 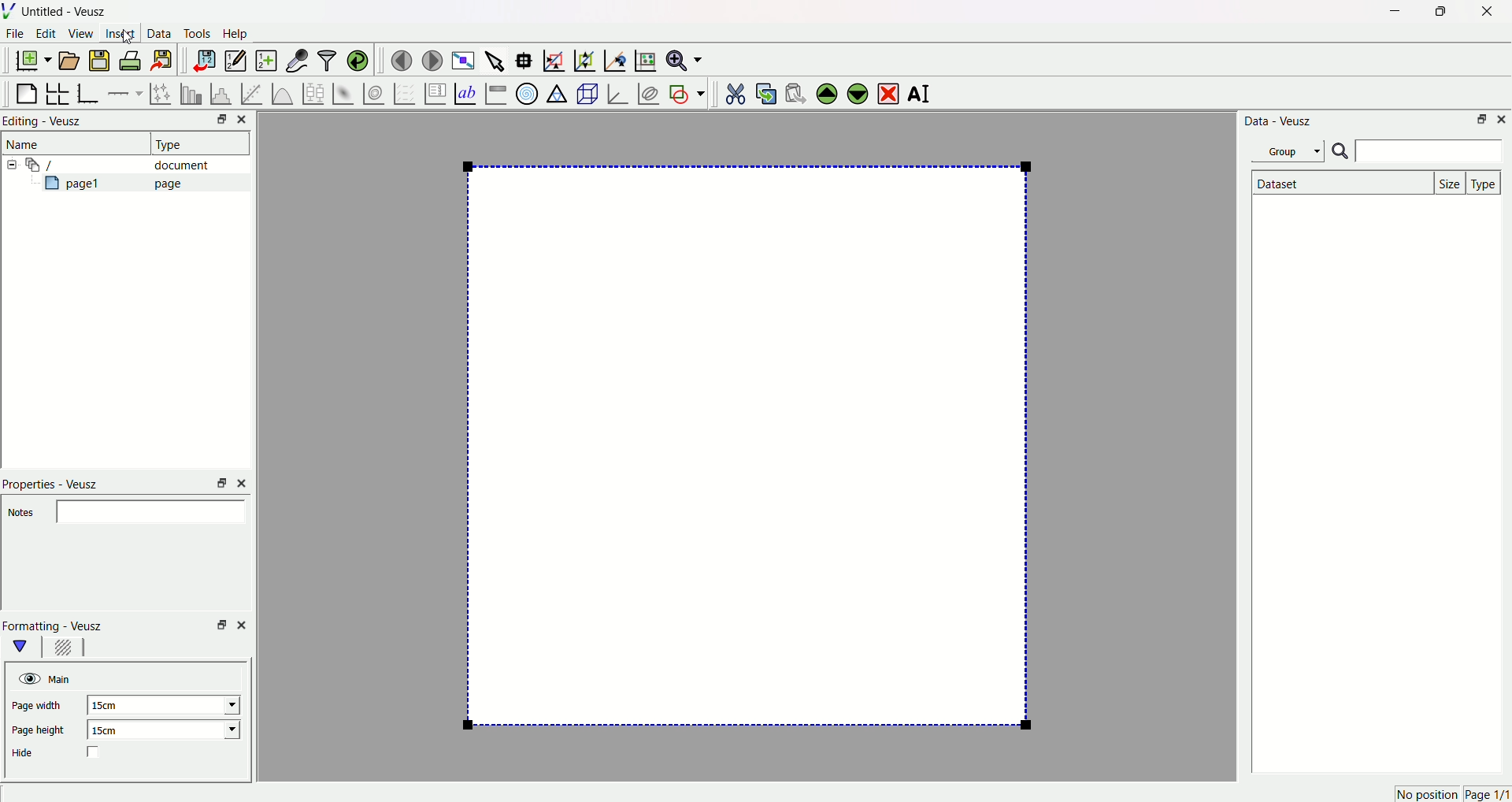 What do you see at coordinates (326, 58) in the screenshot?
I see `filter data` at bounding box center [326, 58].